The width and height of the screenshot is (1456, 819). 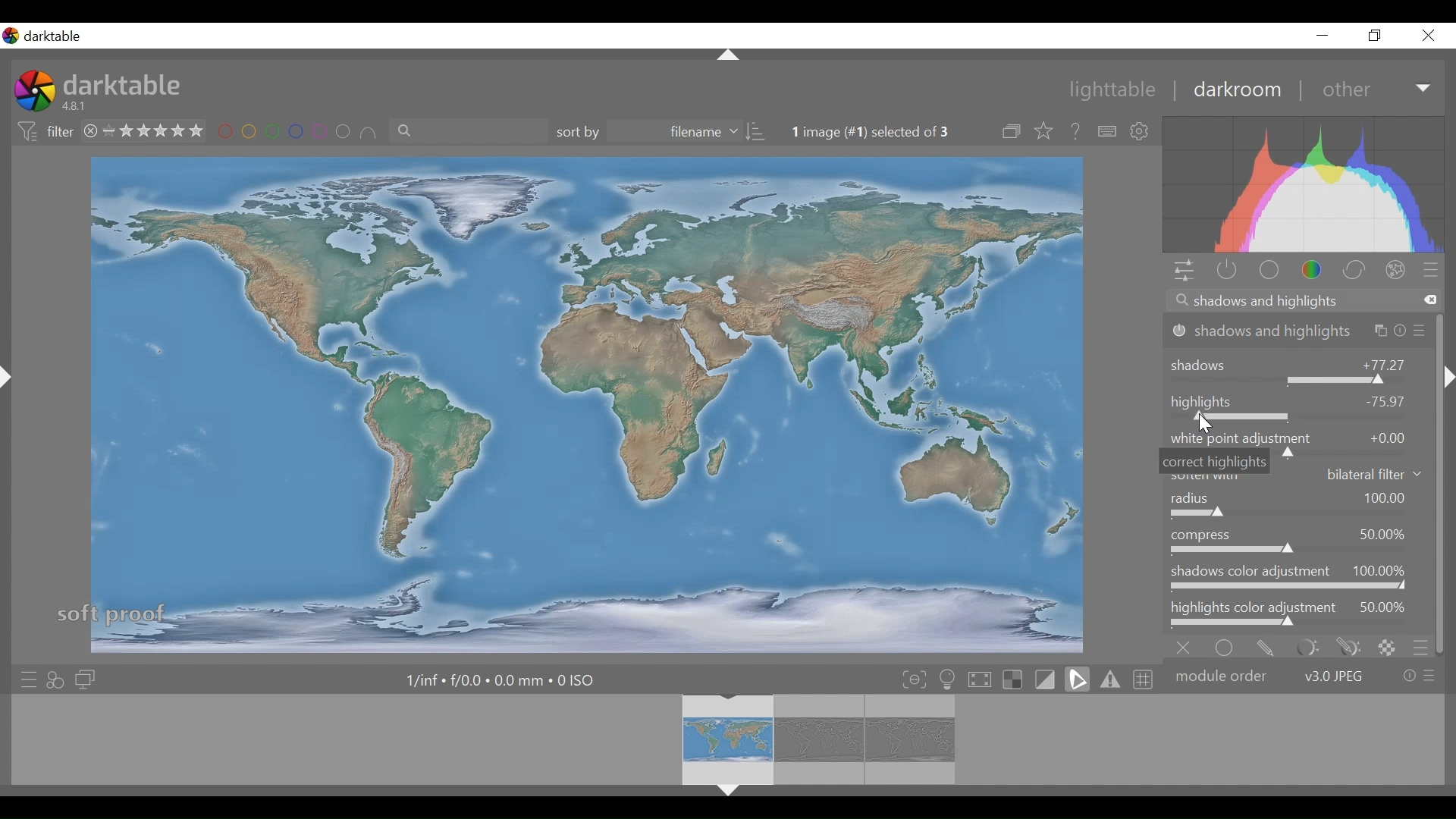 I want to click on color, so click(x=1313, y=270).